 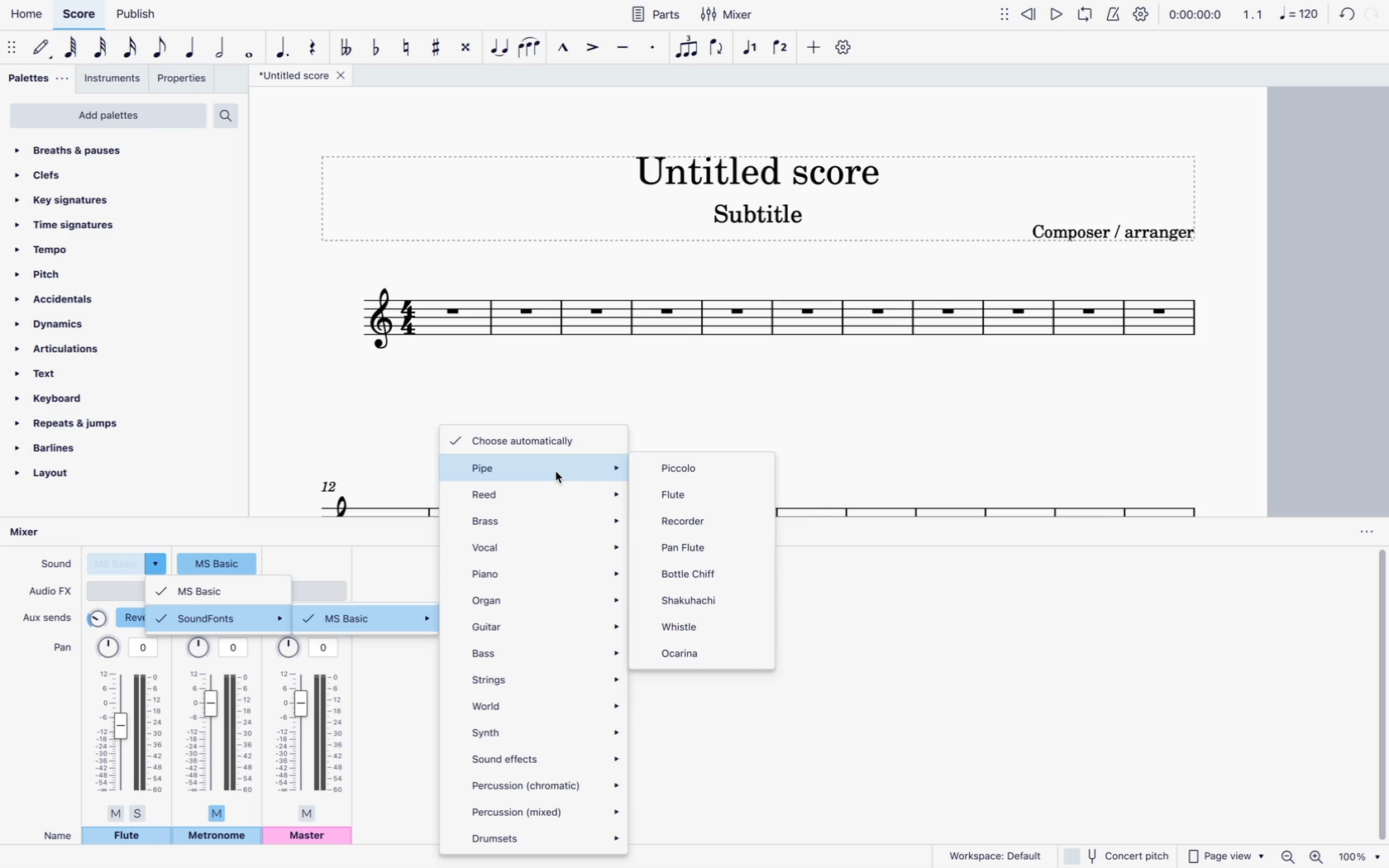 I want to click on whistle, so click(x=690, y=628).